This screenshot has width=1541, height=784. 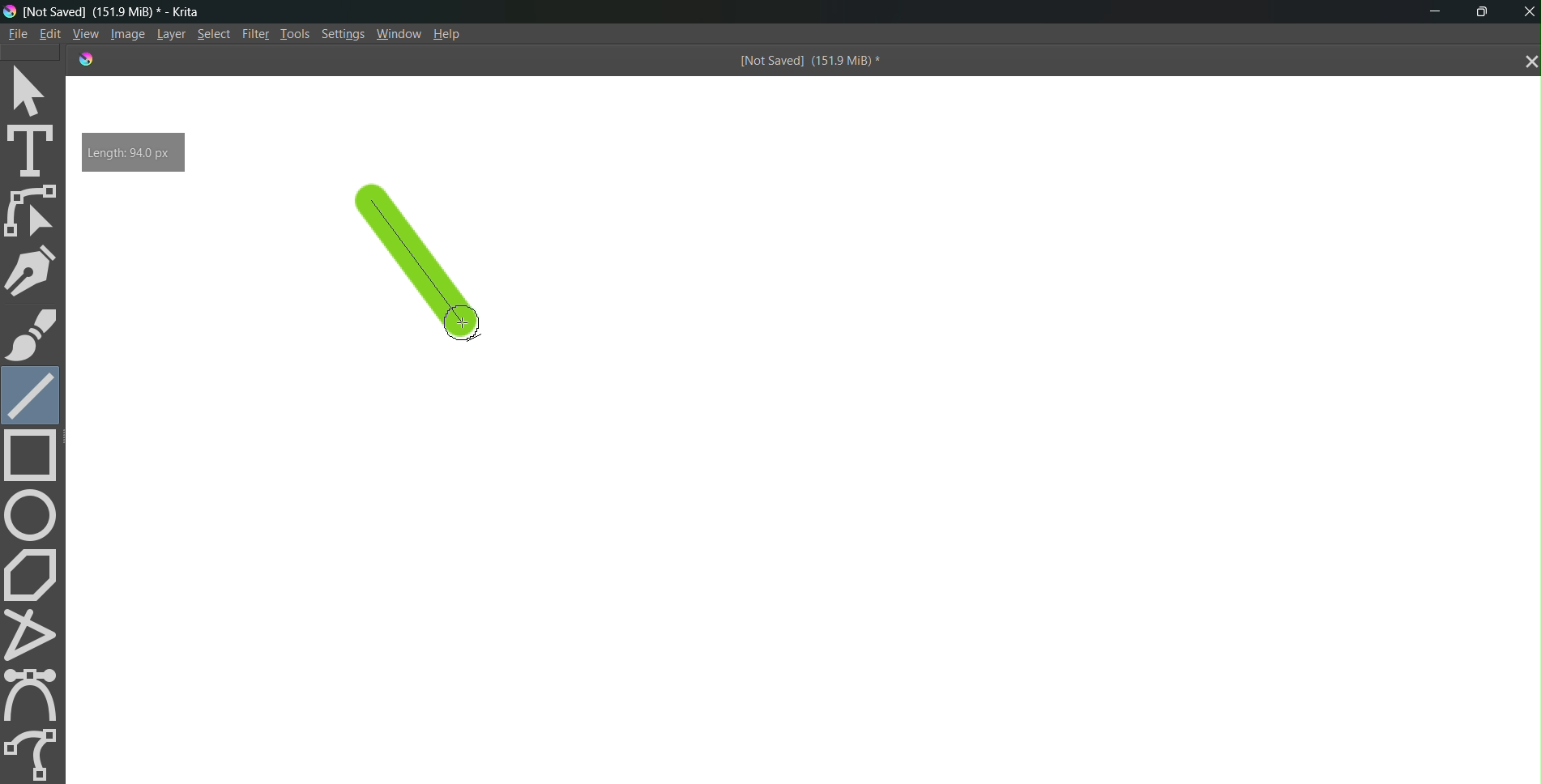 What do you see at coordinates (16, 33) in the screenshot?
I see `File` at bounding box center [16, 33].